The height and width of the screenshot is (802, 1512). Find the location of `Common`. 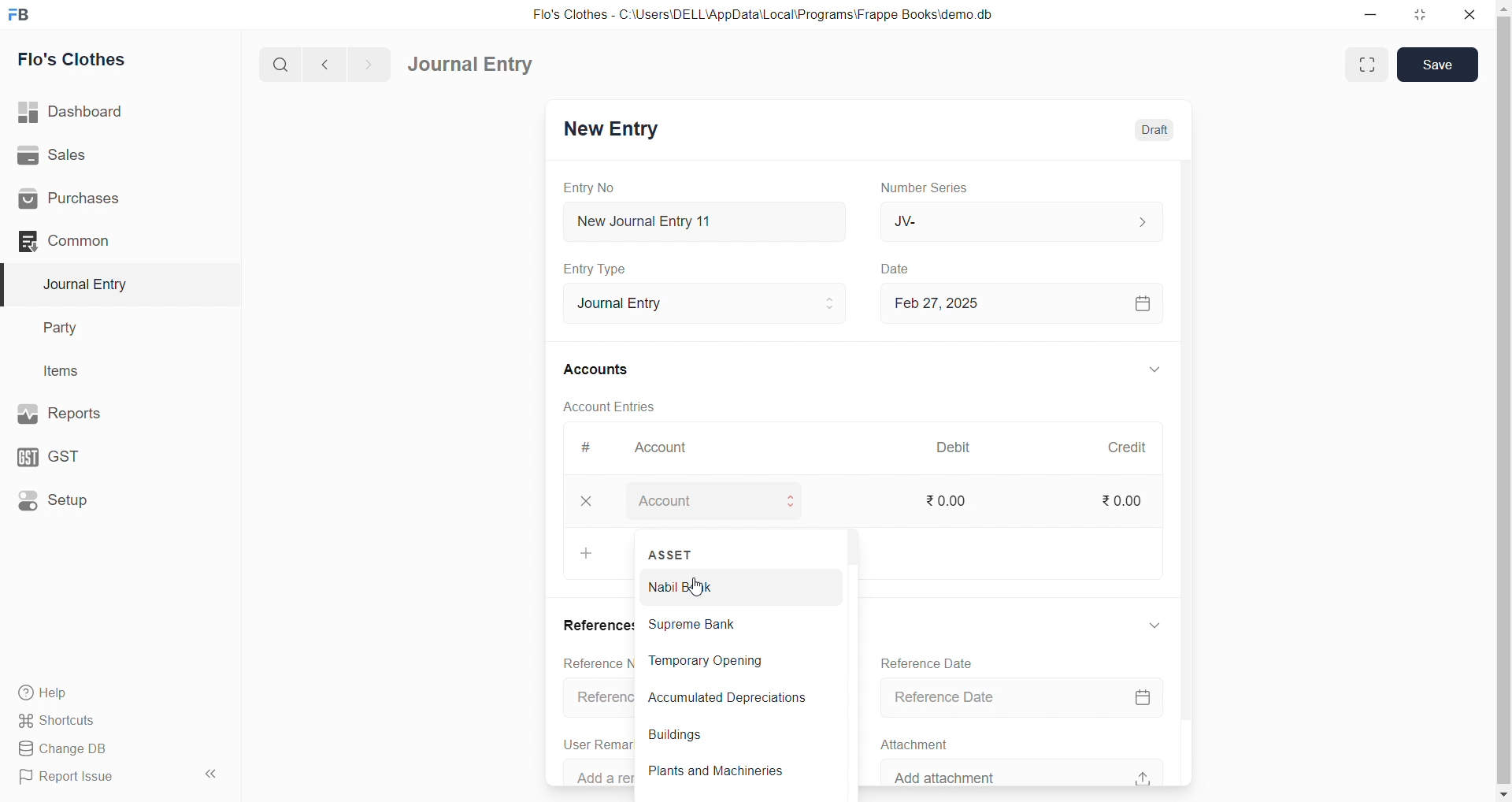

Common is located at coordinates (94, 242).